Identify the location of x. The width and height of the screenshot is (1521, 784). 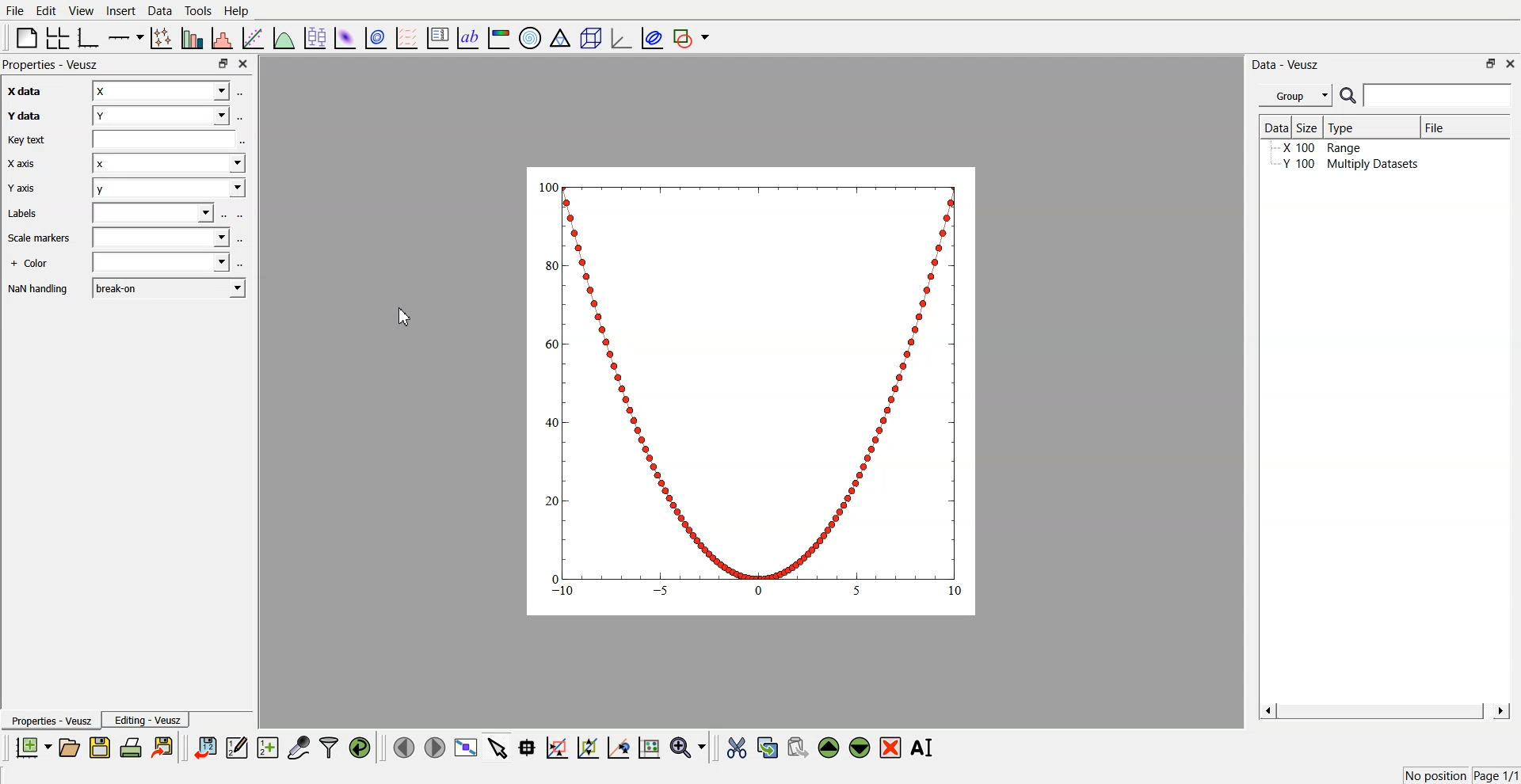
(159, 91).